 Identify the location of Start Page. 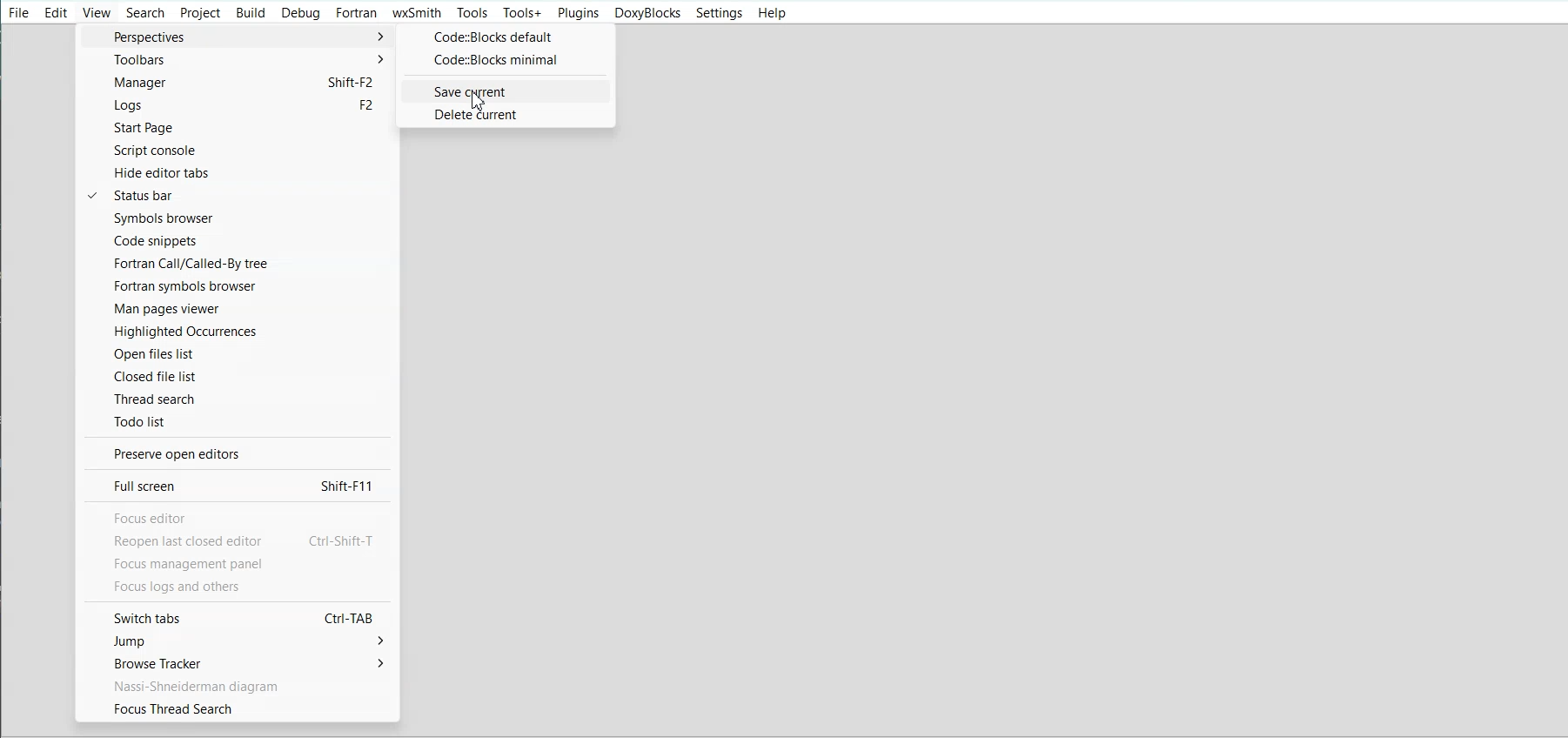
(239, 128).